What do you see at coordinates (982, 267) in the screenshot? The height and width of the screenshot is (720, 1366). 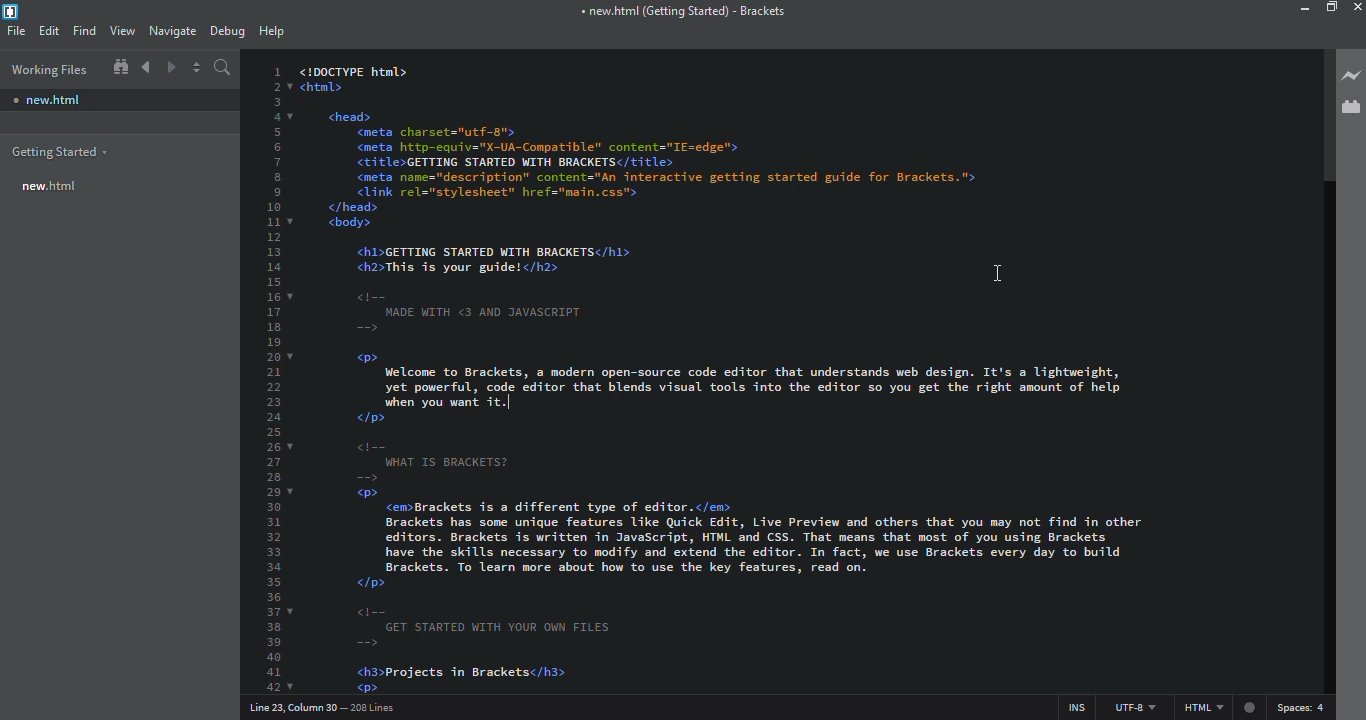 I see `cursor` at bounding box center [982, 267].